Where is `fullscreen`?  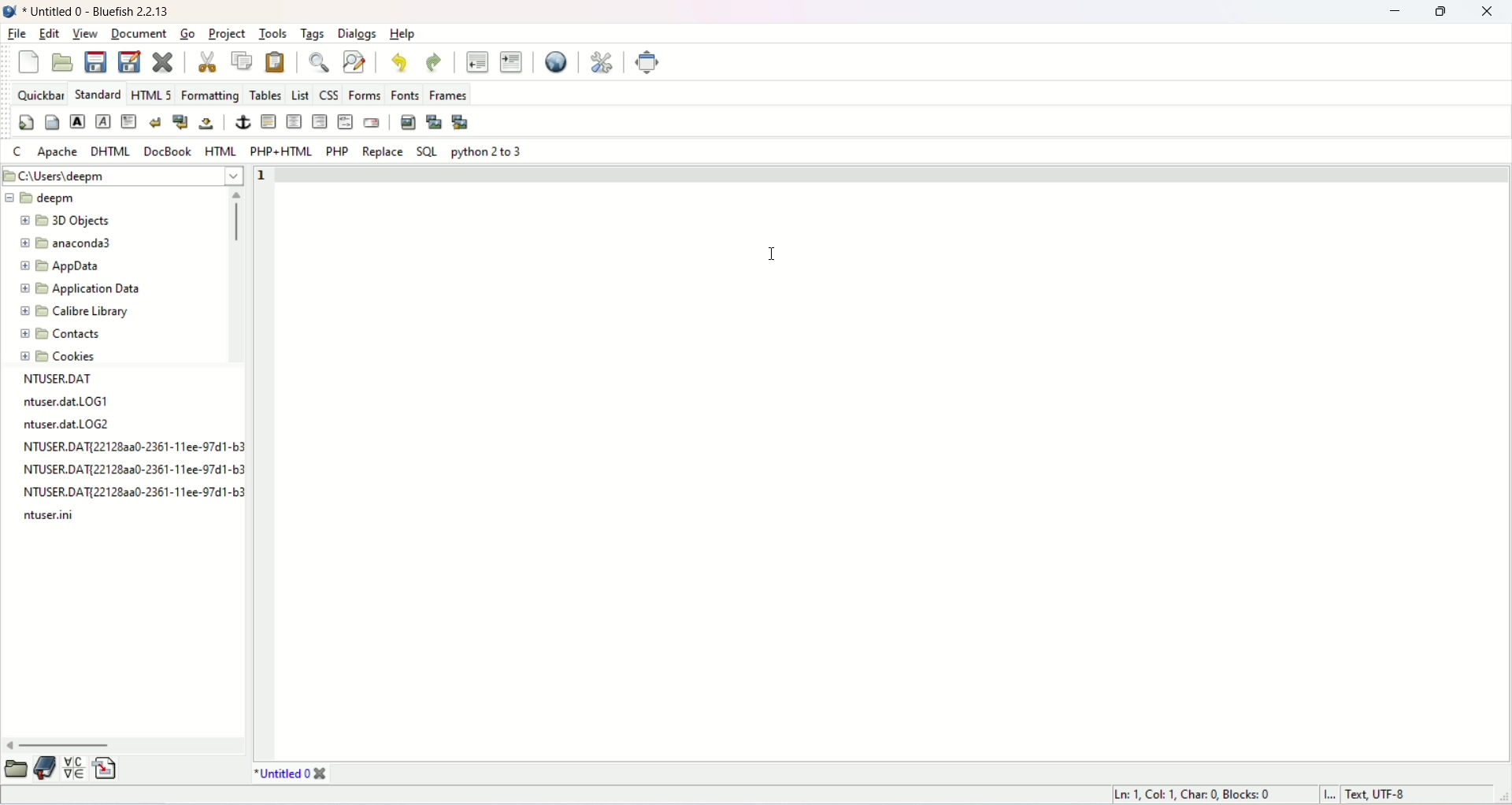 fullscreen is located at coordinates (662, 61).